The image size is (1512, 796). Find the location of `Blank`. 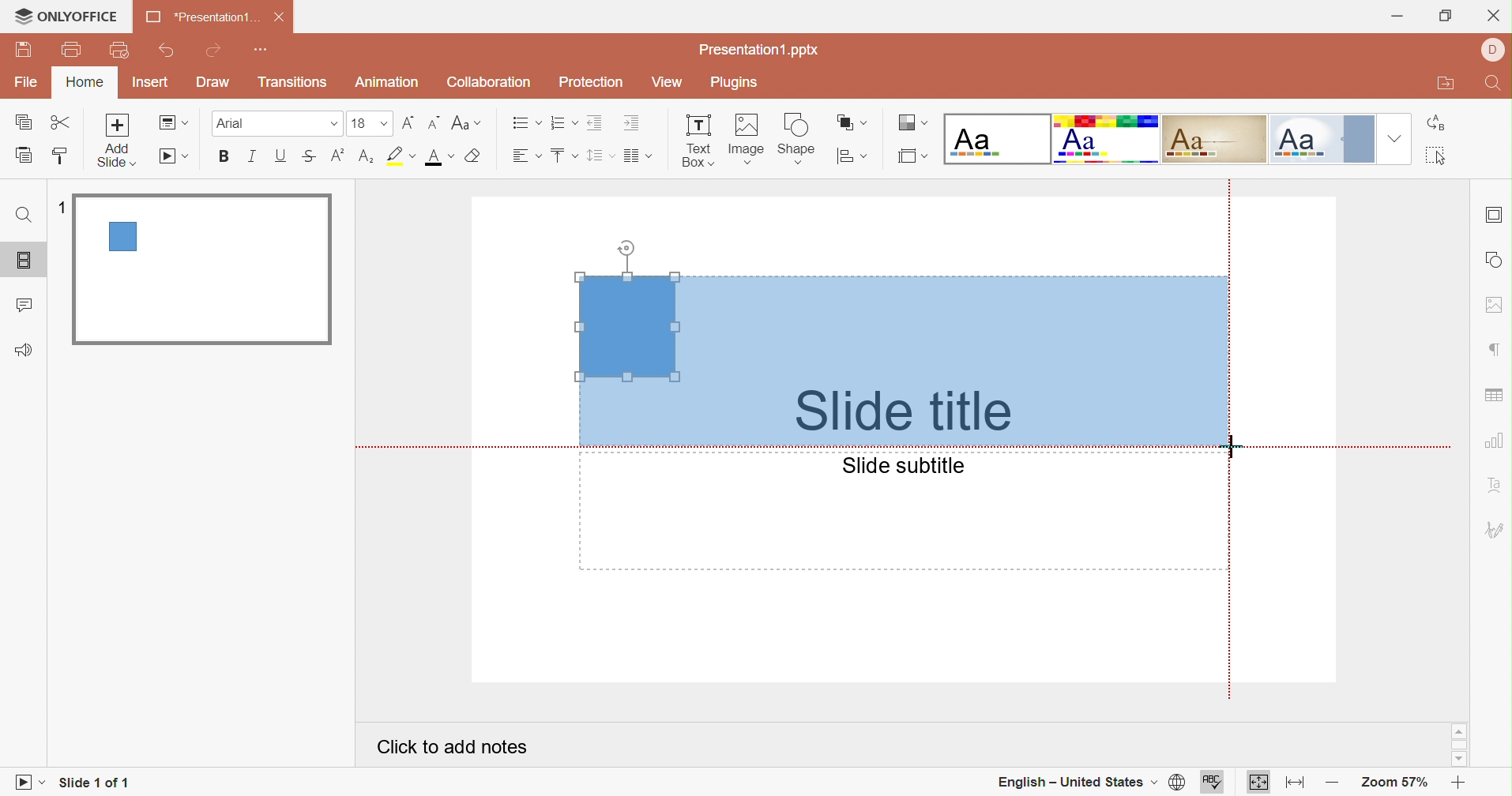

Blank is located at coordinates (999, 139).